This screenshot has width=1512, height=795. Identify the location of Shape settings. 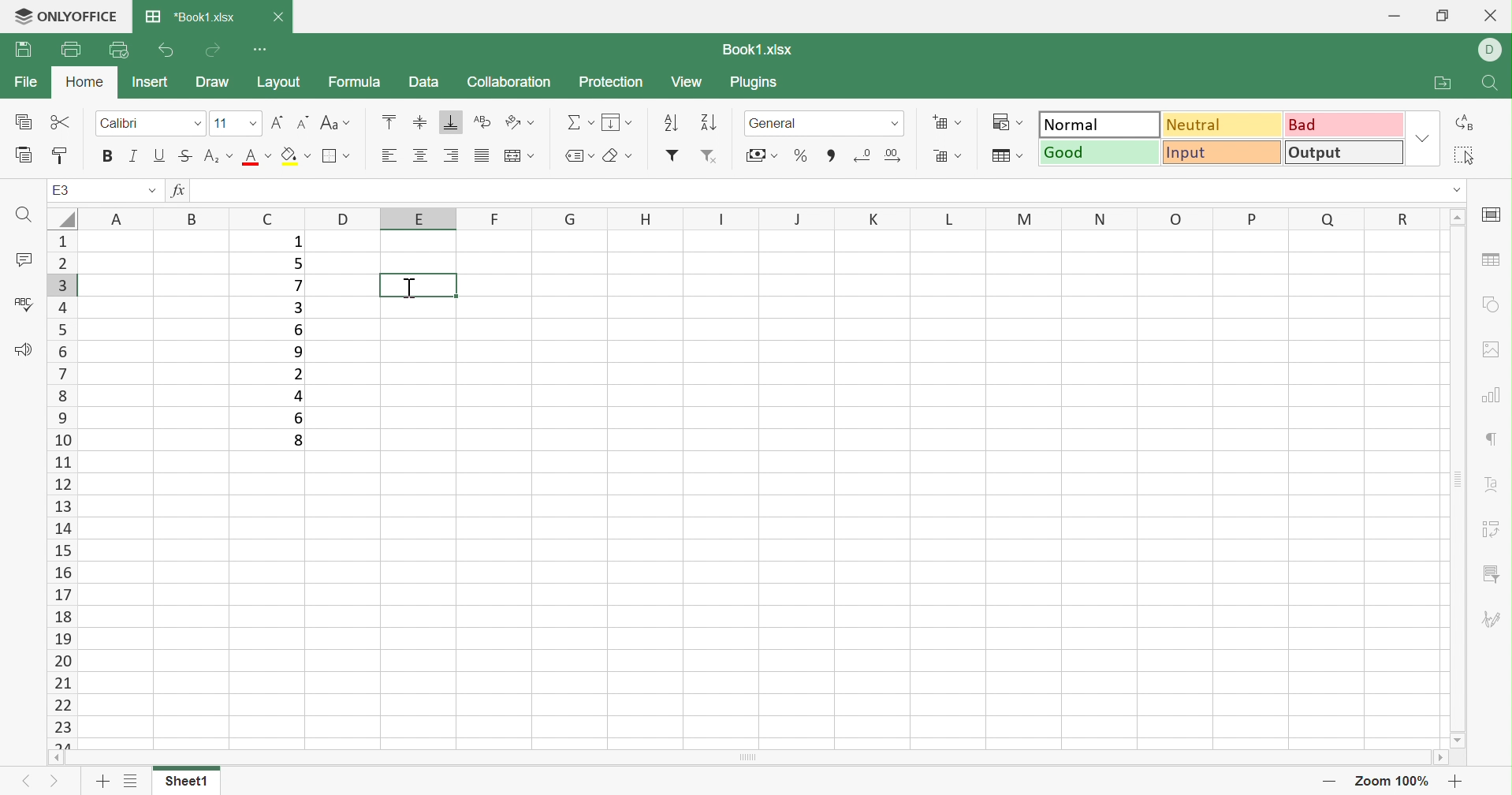
(1490, 295).